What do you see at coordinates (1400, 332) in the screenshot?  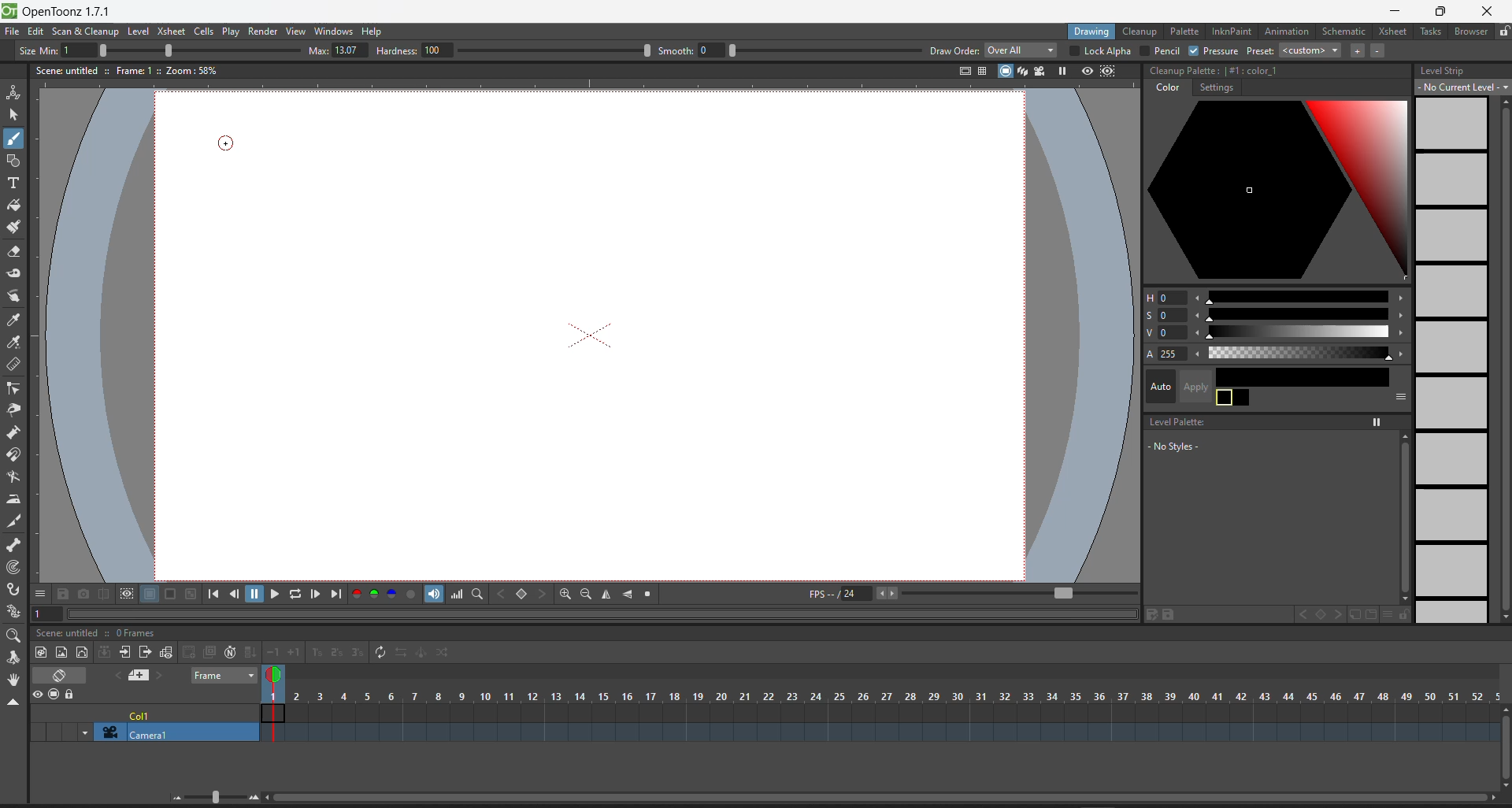 I see `move right` at bounding box center [1400, 332].